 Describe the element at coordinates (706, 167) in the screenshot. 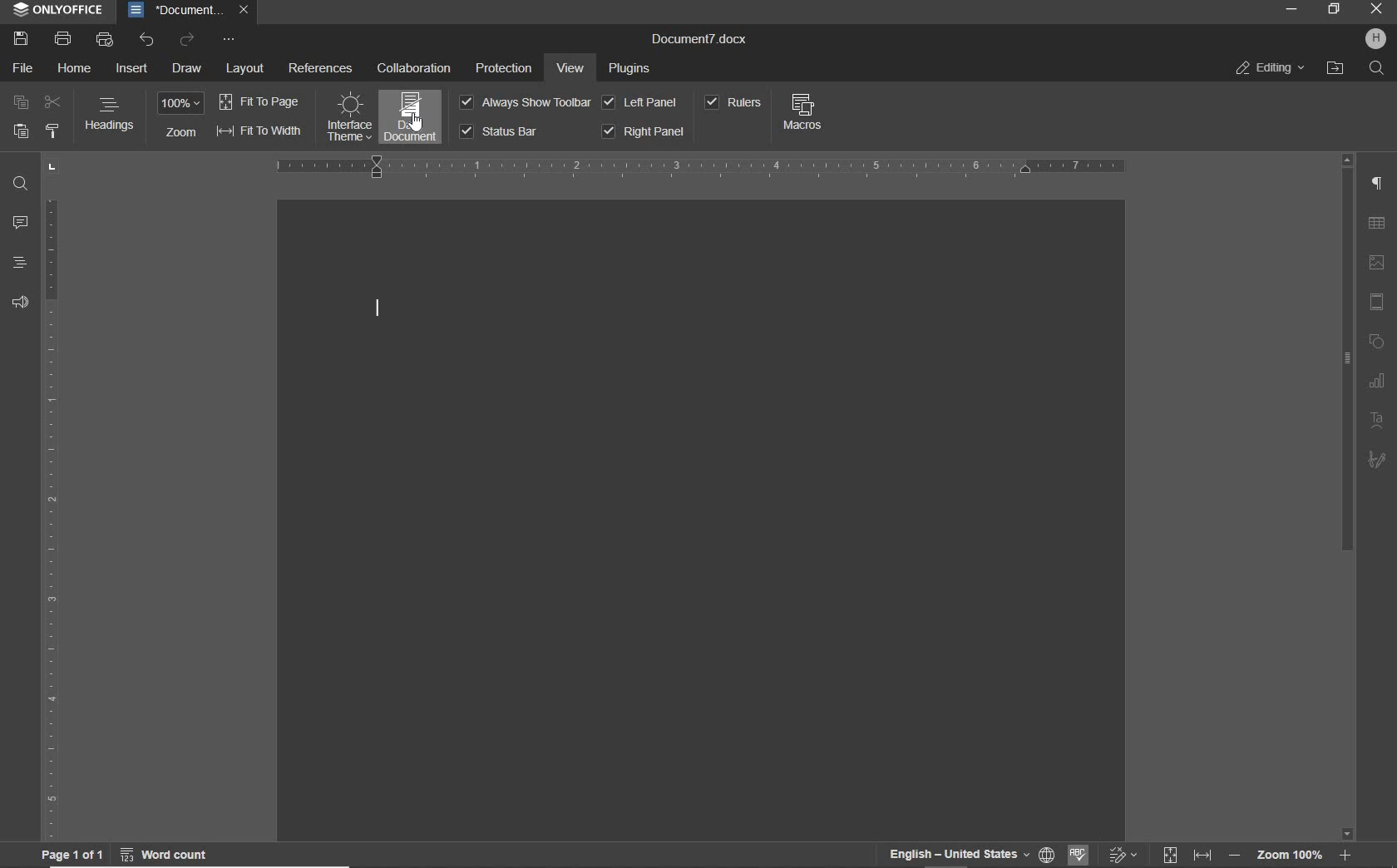

I see `RULER` at that location.